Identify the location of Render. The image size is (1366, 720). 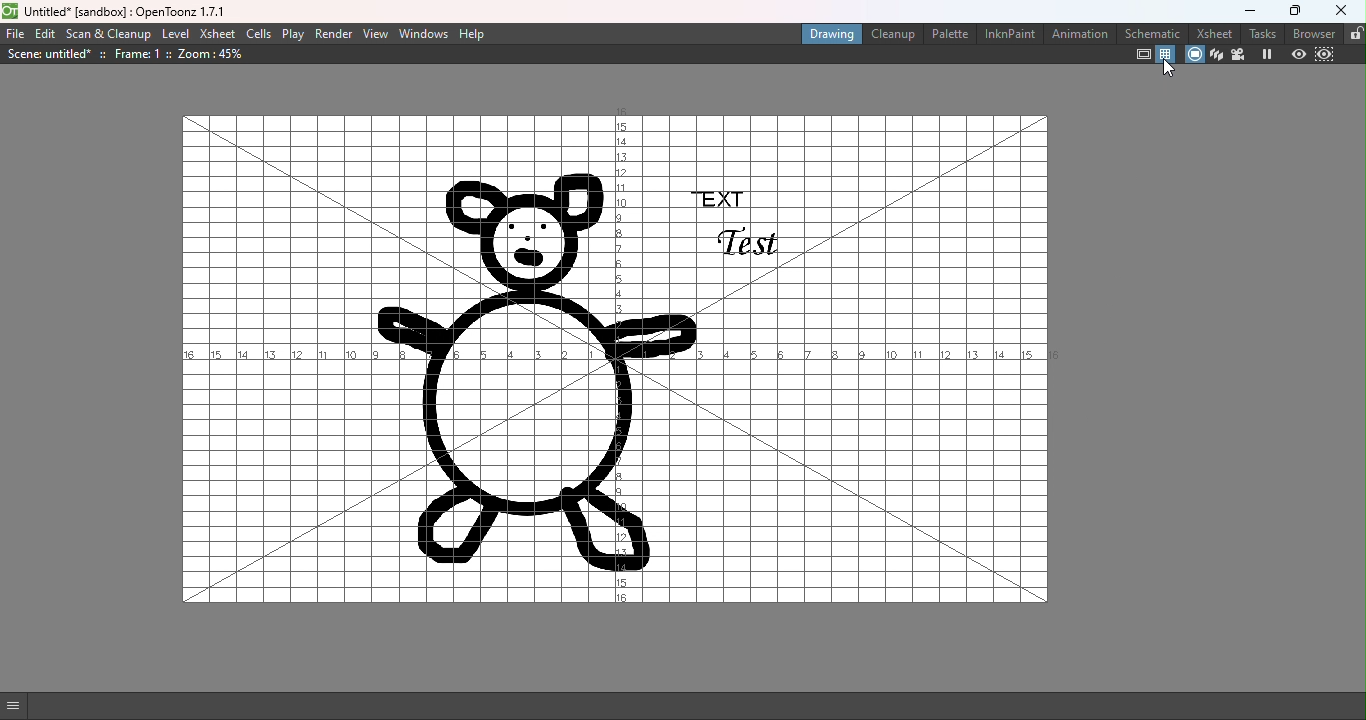
(332, 32).